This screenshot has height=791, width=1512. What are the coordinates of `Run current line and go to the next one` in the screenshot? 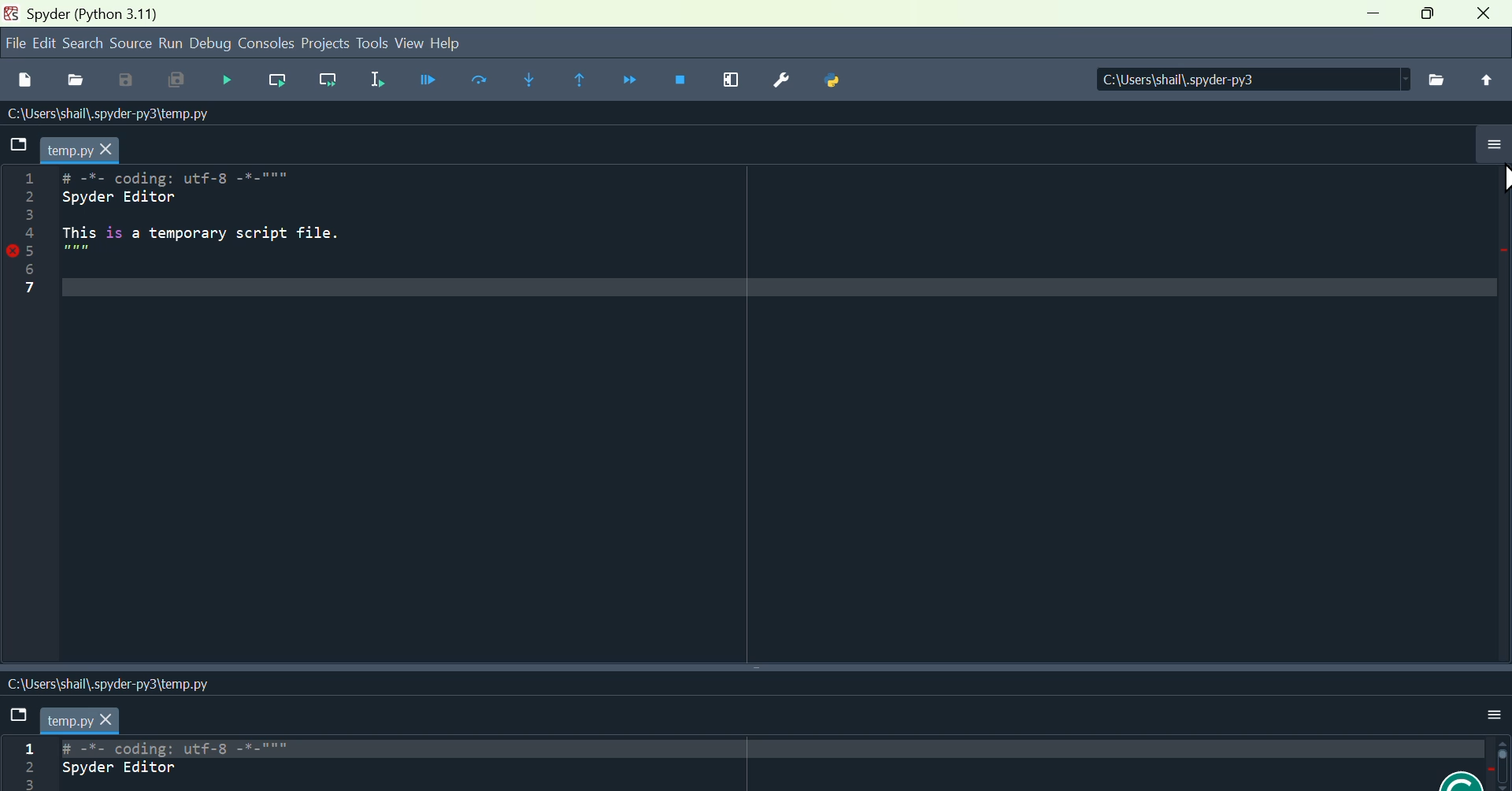 It's located at (327, 83).